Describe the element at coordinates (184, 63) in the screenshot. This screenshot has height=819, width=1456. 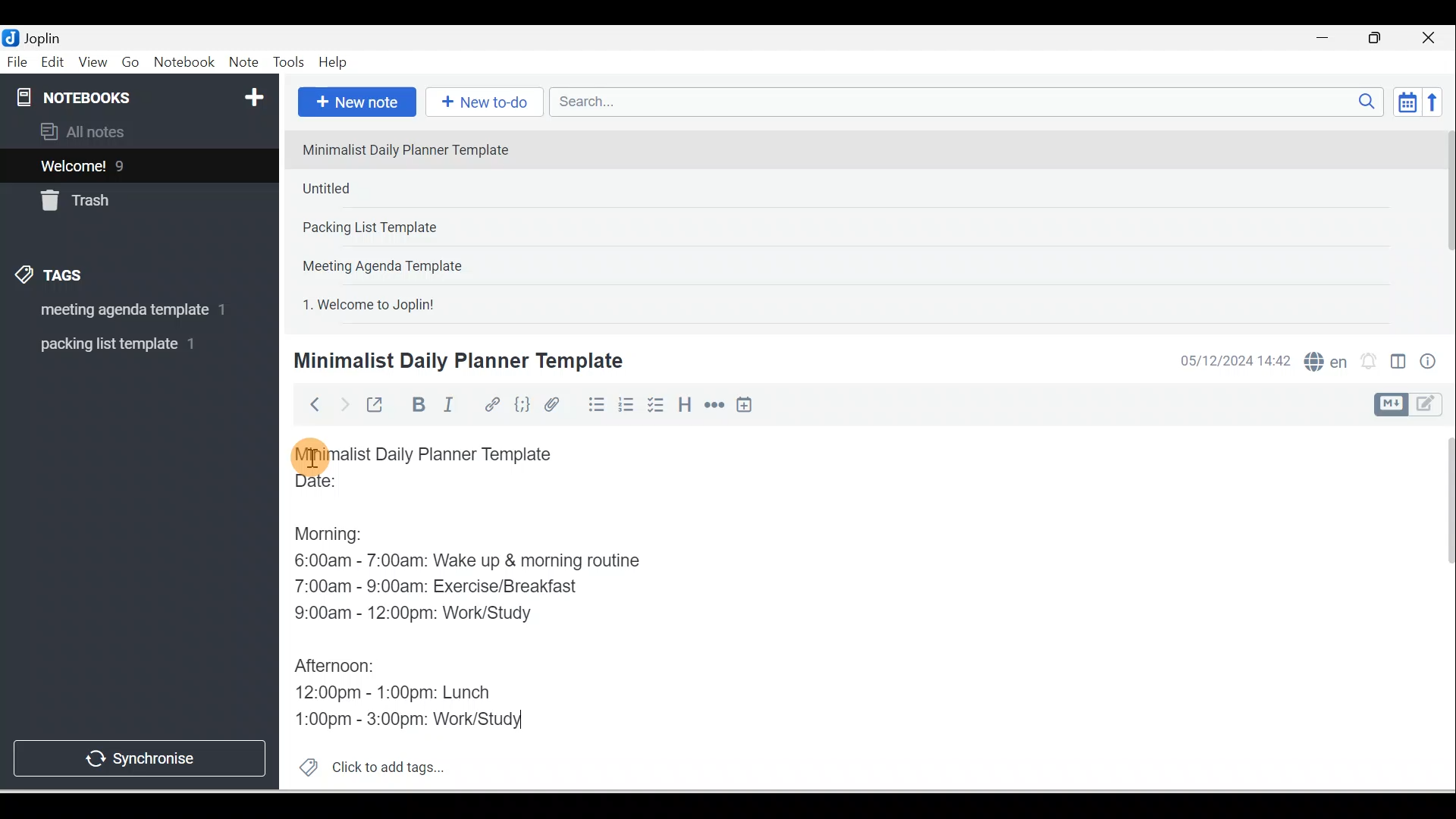
I see `Notebook` at that location.